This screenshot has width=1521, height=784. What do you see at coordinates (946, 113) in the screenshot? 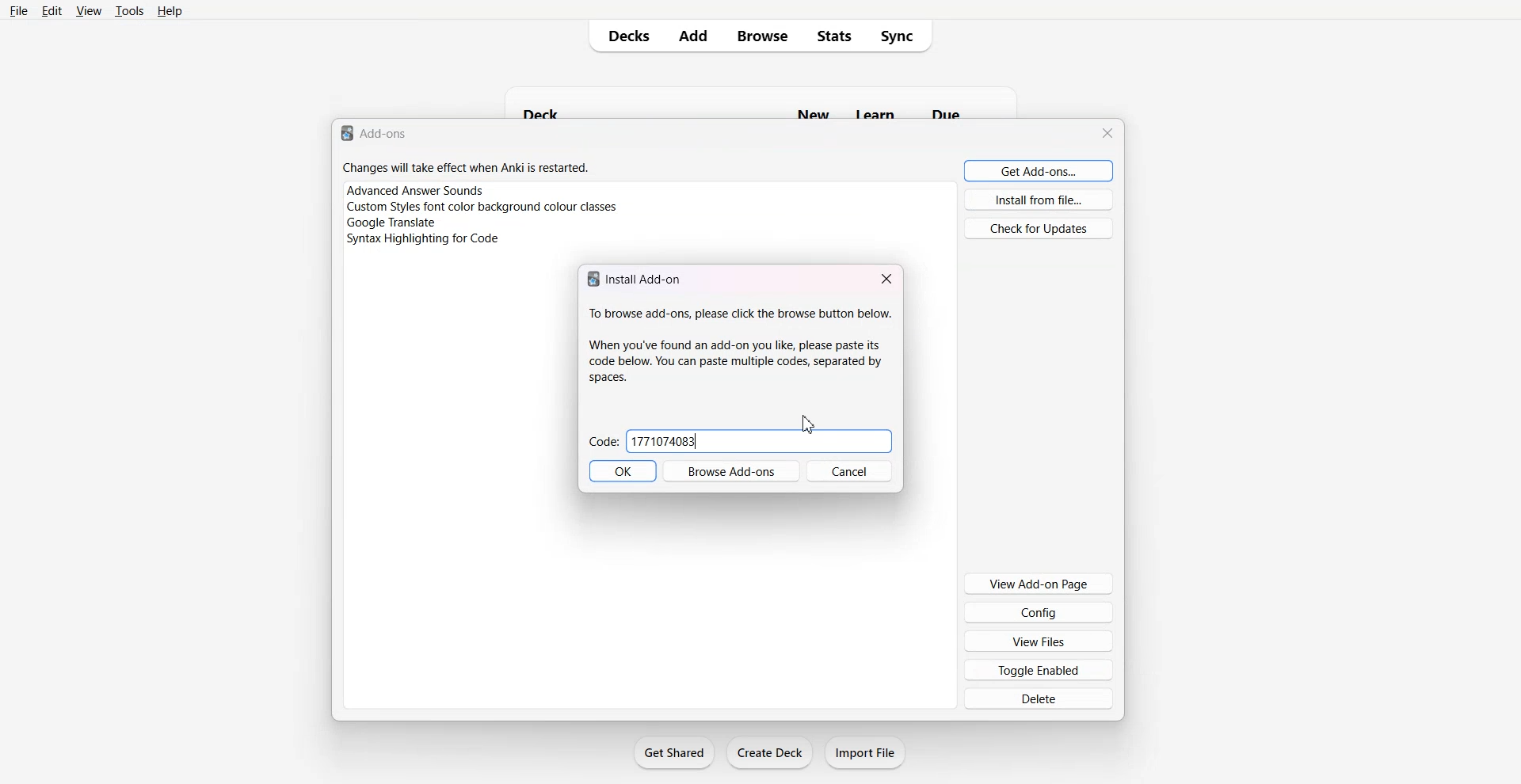
I see `due` at bounding box center [946, 113].